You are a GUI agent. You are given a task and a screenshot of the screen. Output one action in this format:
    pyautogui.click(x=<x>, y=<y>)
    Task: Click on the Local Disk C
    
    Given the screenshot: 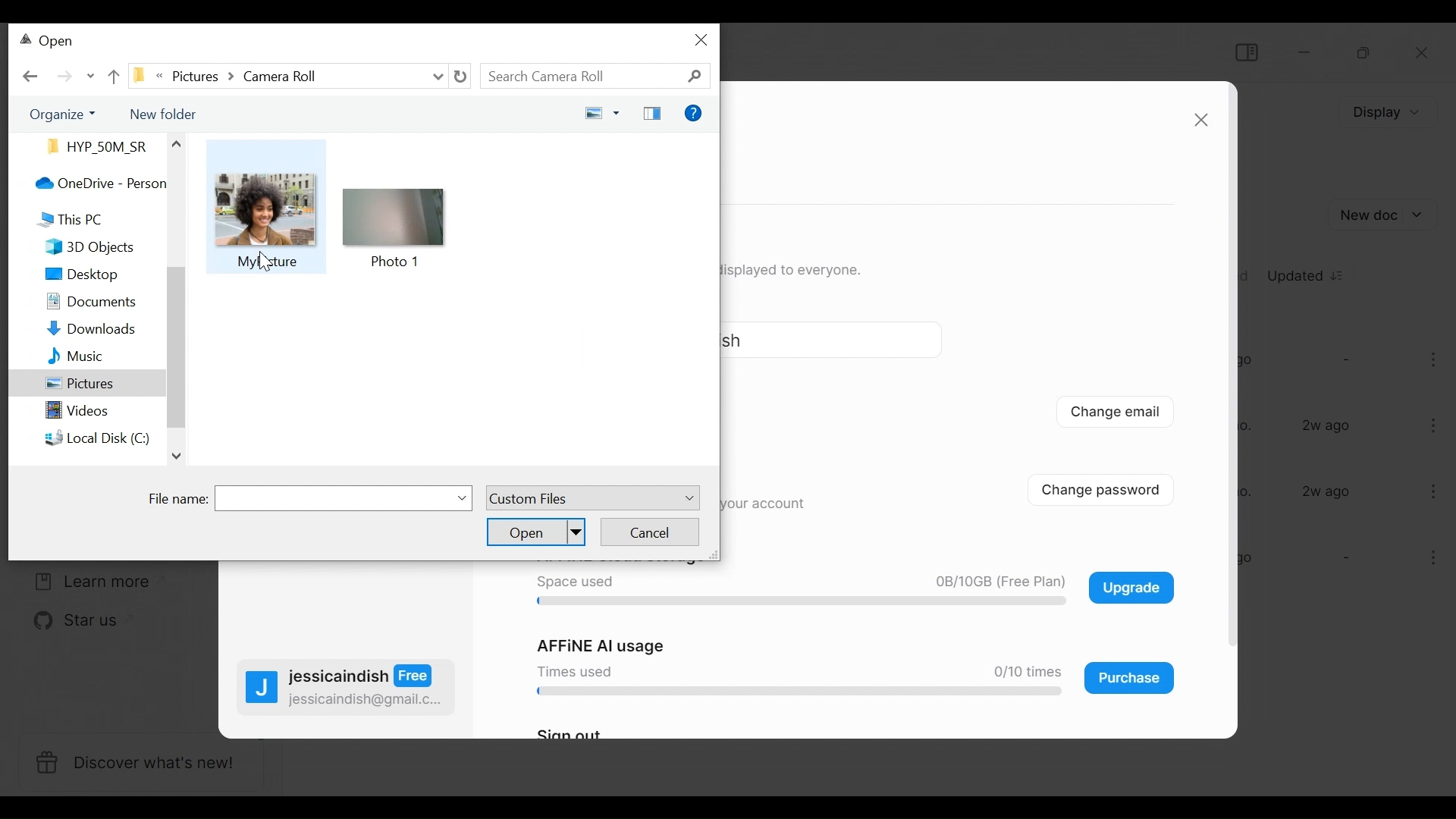 What is the action you would take?
    pyautogui.click(x=85, y=438)
    